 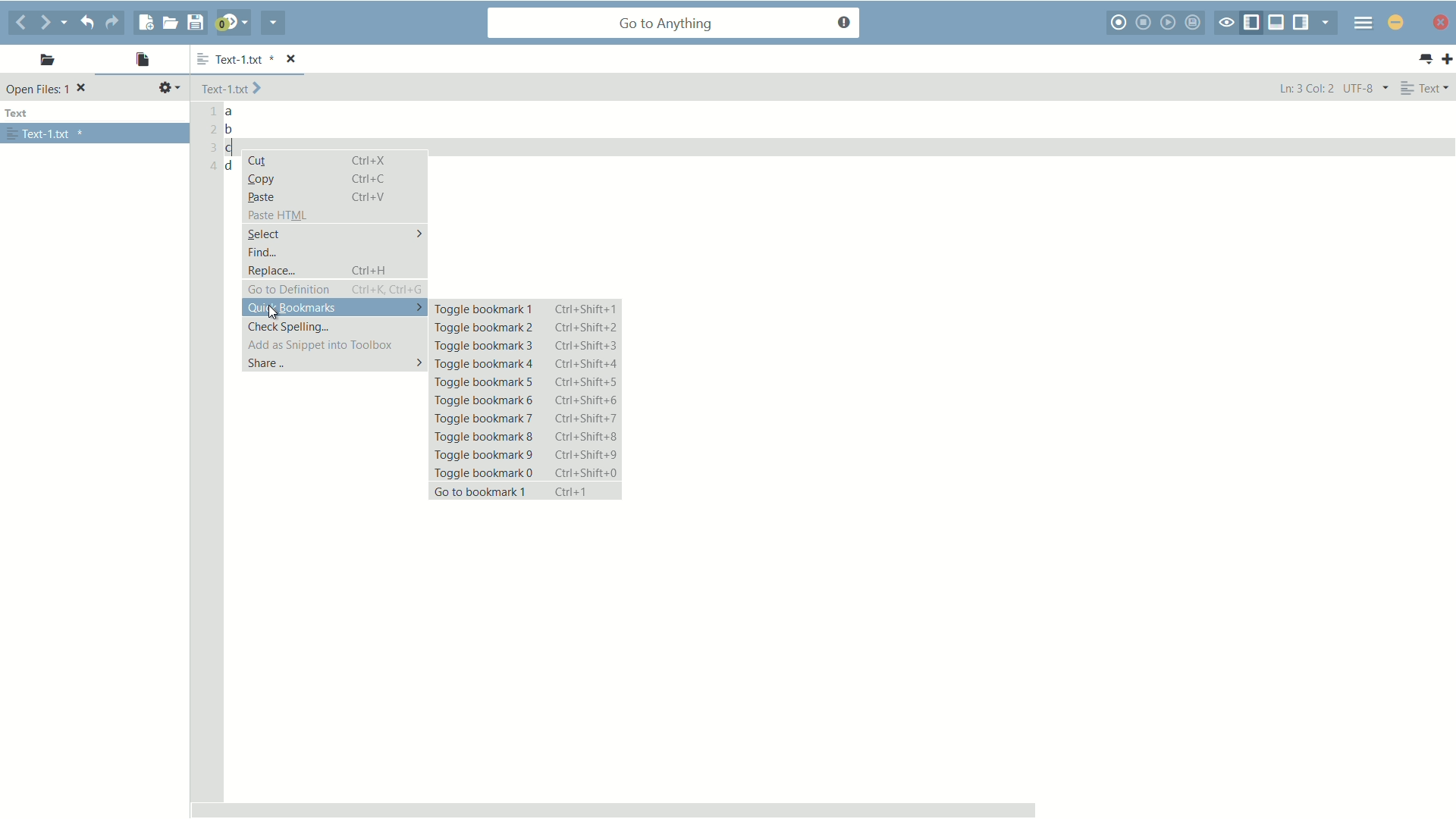 I want to click on Ln: 3 Col: 2, so click(x=1305, y=89).